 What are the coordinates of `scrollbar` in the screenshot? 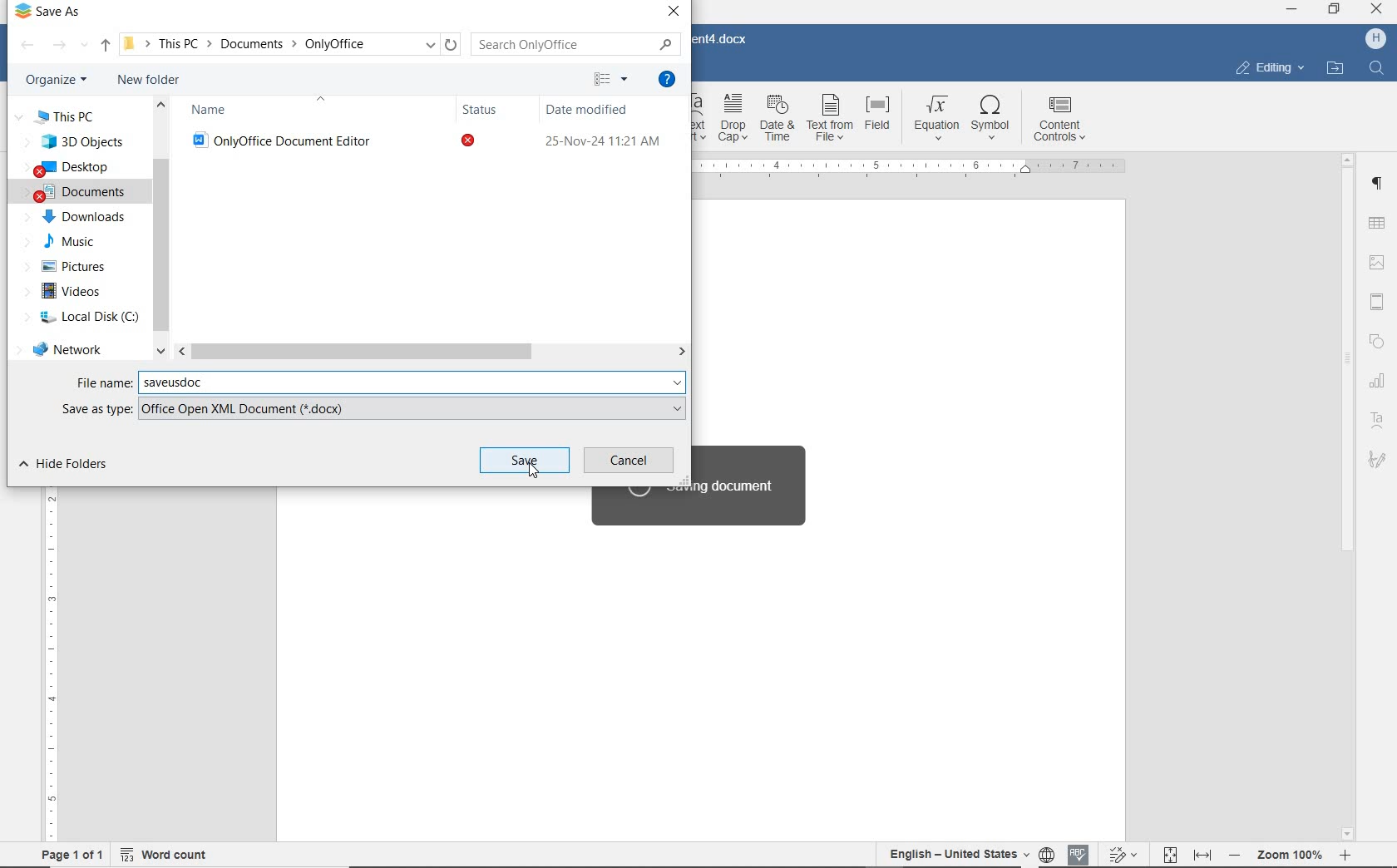 It's located at (163, 229).